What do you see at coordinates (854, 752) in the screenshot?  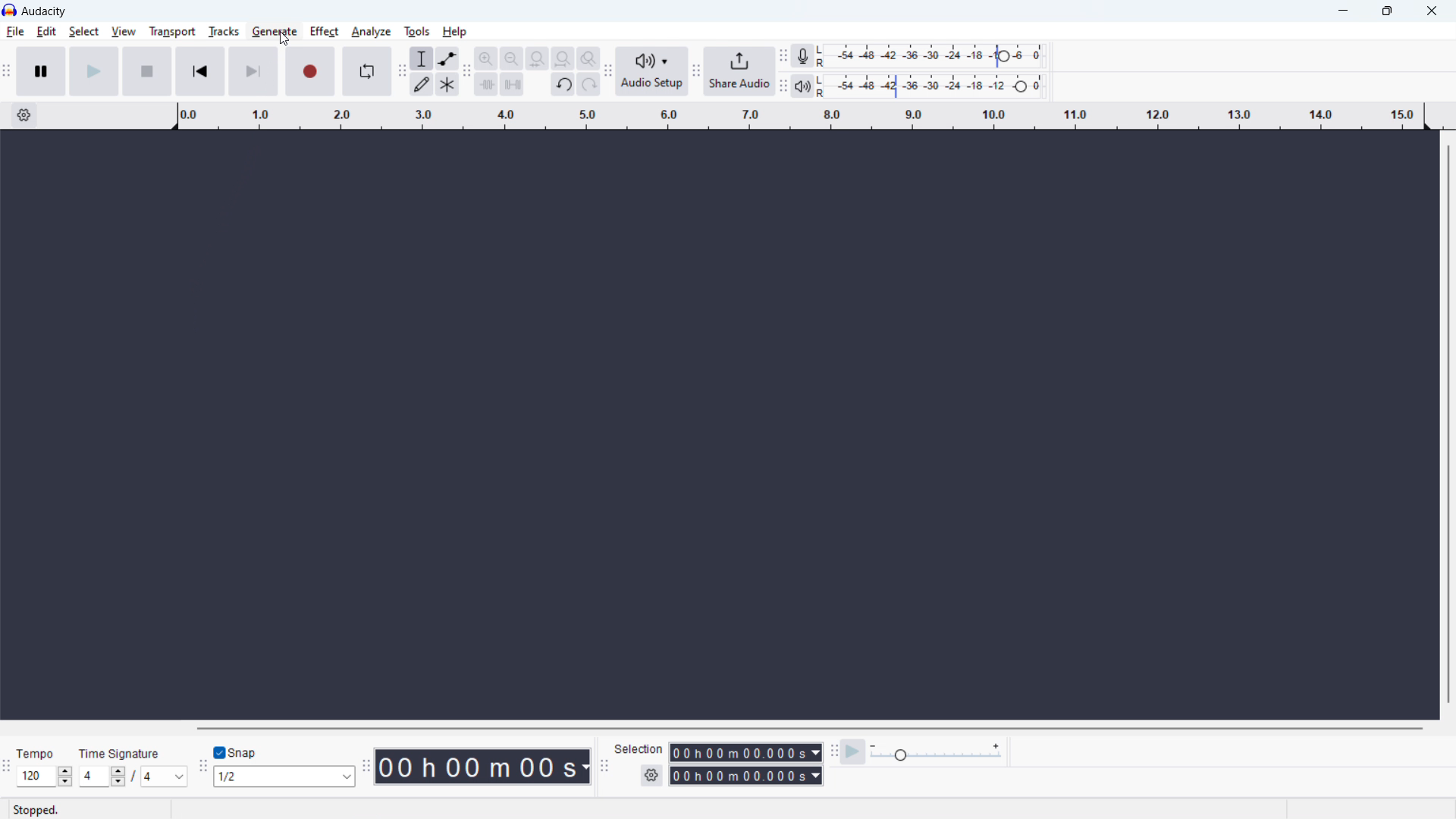 I see `play at speed` at bounding box center [854, 752].